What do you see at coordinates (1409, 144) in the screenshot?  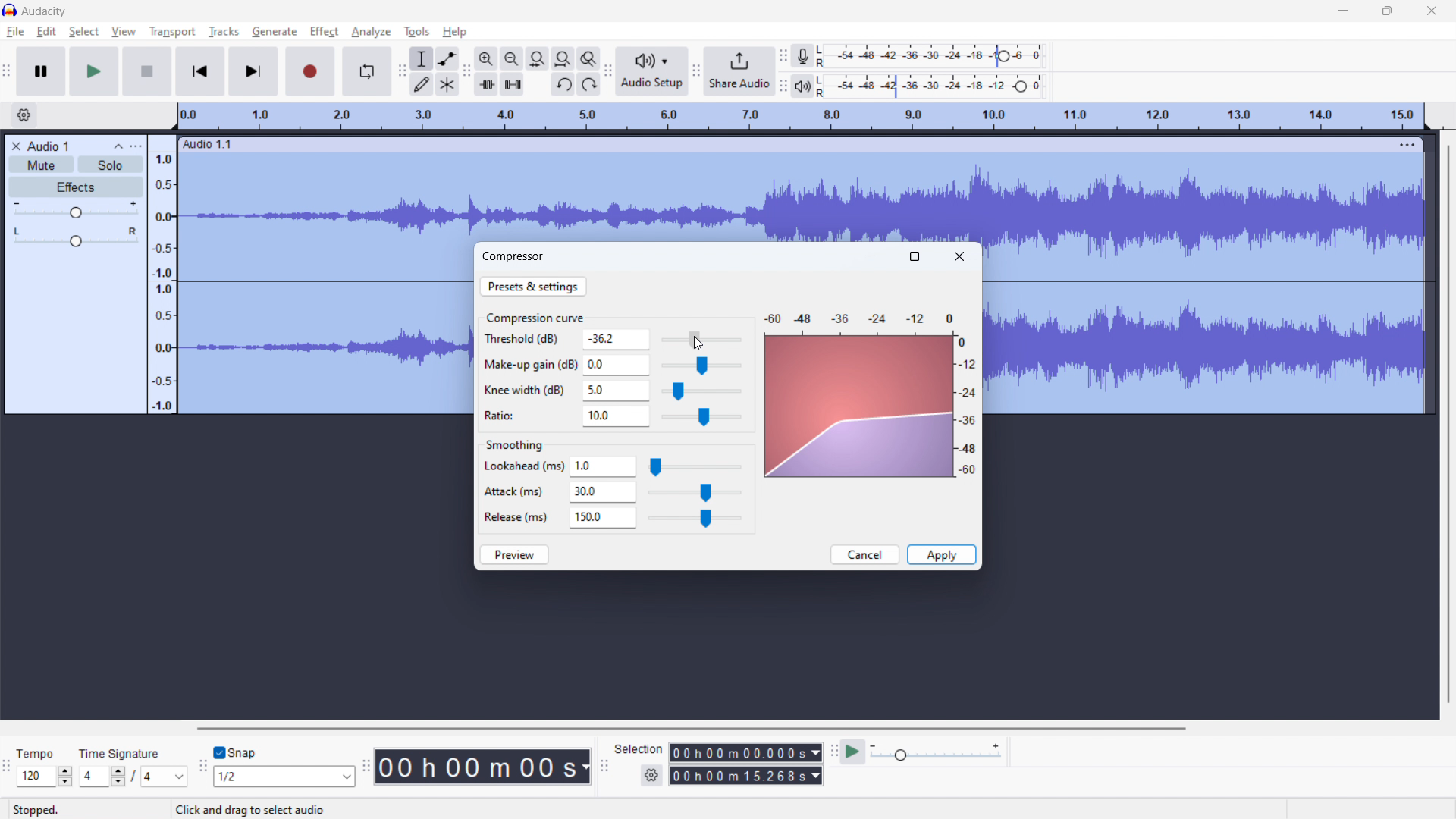 I see `menu` at bounding box center [1409, 144].